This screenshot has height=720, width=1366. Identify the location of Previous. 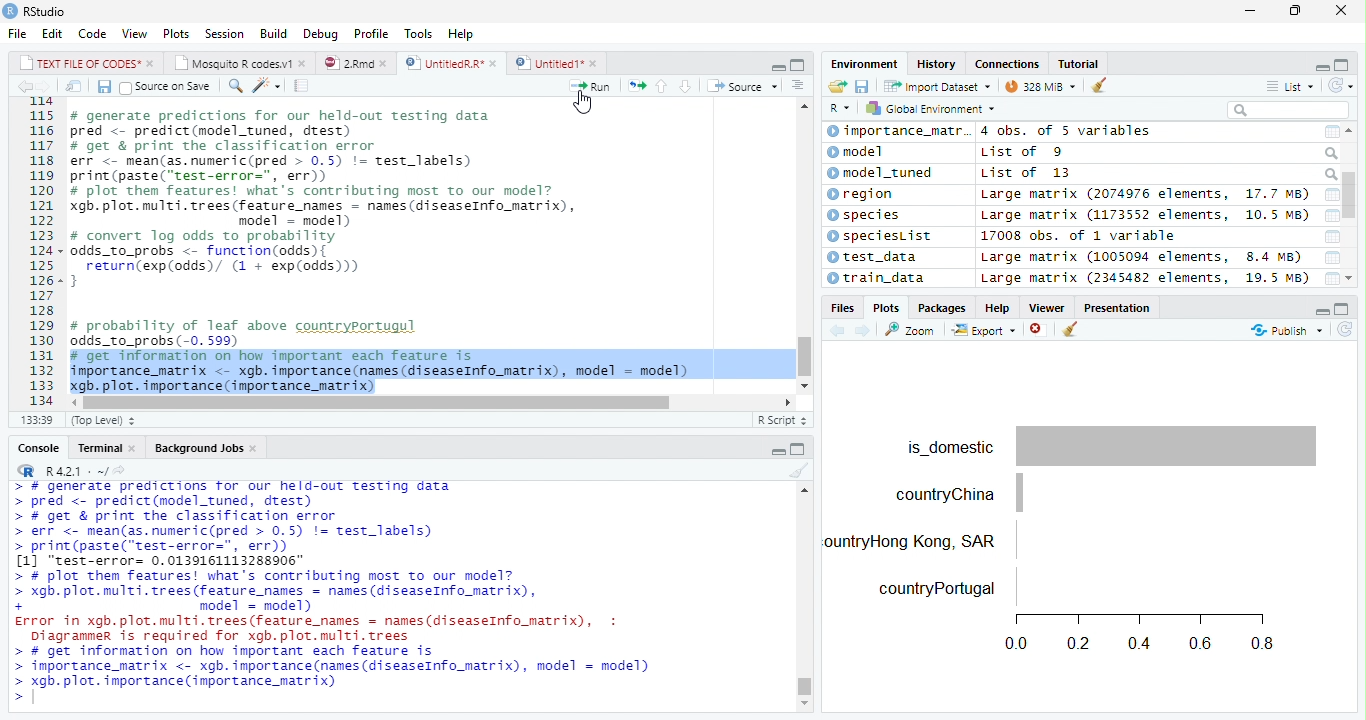
(23, 87).